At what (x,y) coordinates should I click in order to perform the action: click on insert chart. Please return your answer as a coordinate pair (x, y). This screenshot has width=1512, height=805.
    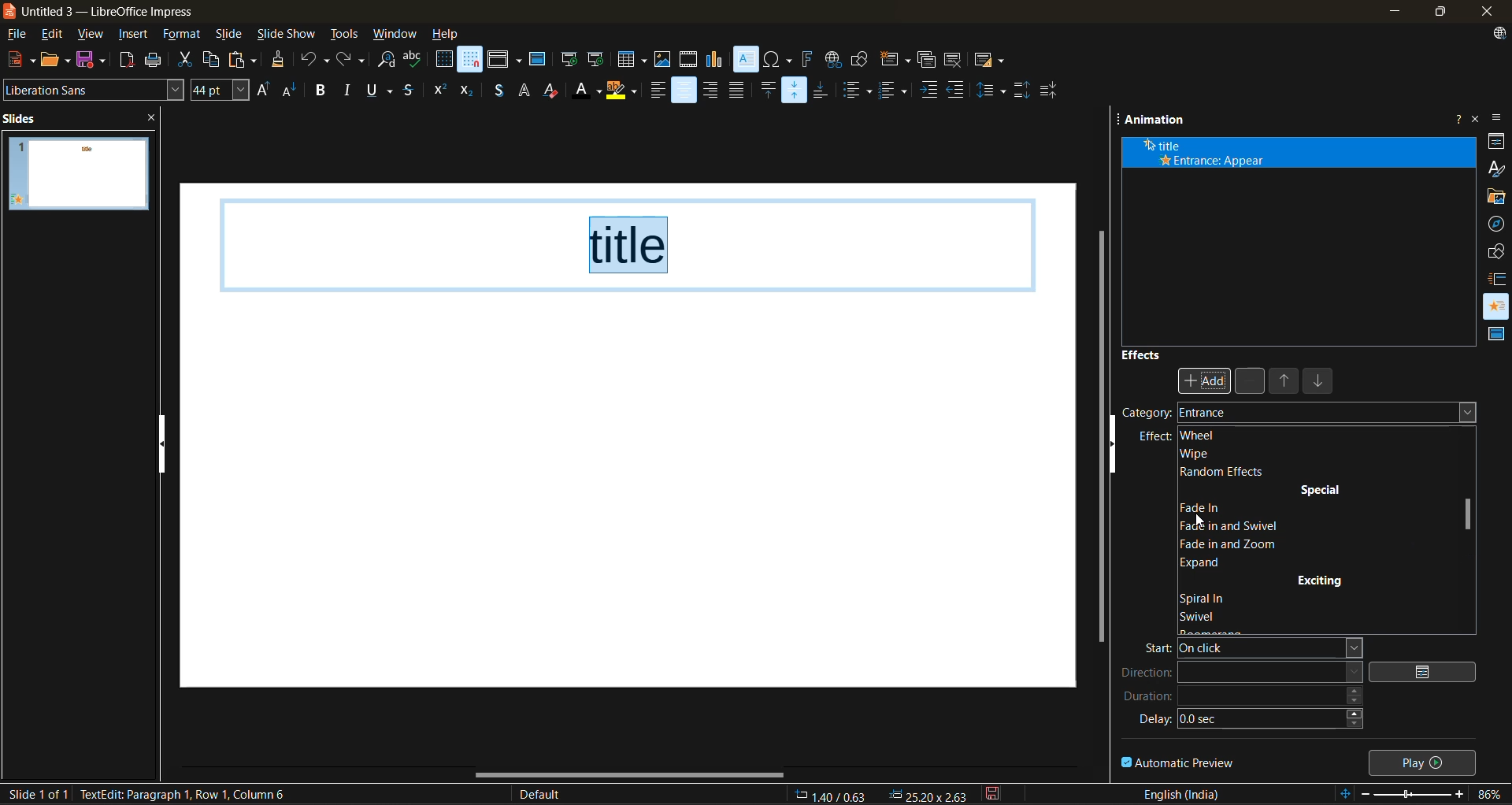
    Looking at the image, I should click on (716, 60).